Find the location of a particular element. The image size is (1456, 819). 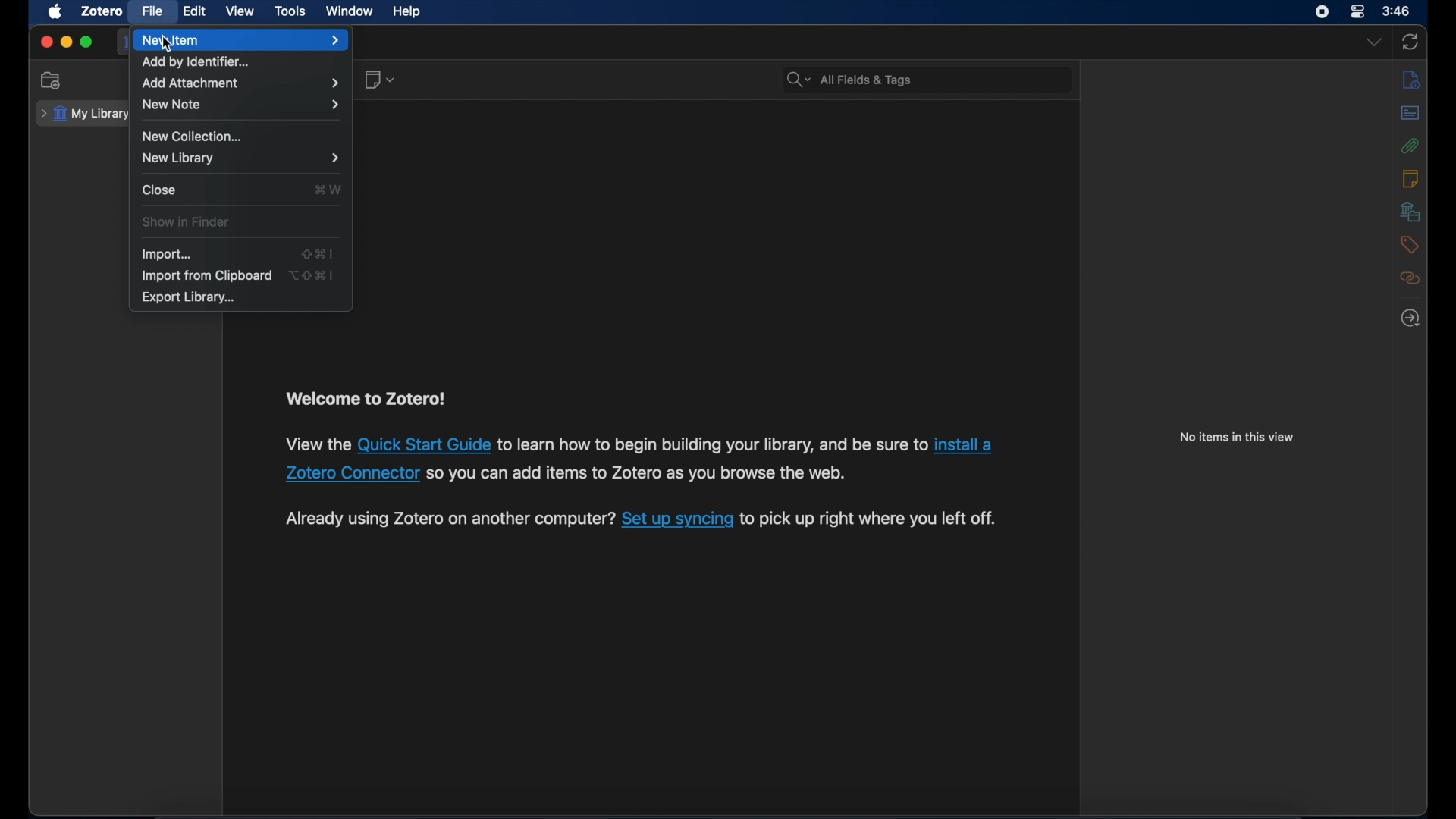

attachments is located at coordinates (1410, 146).